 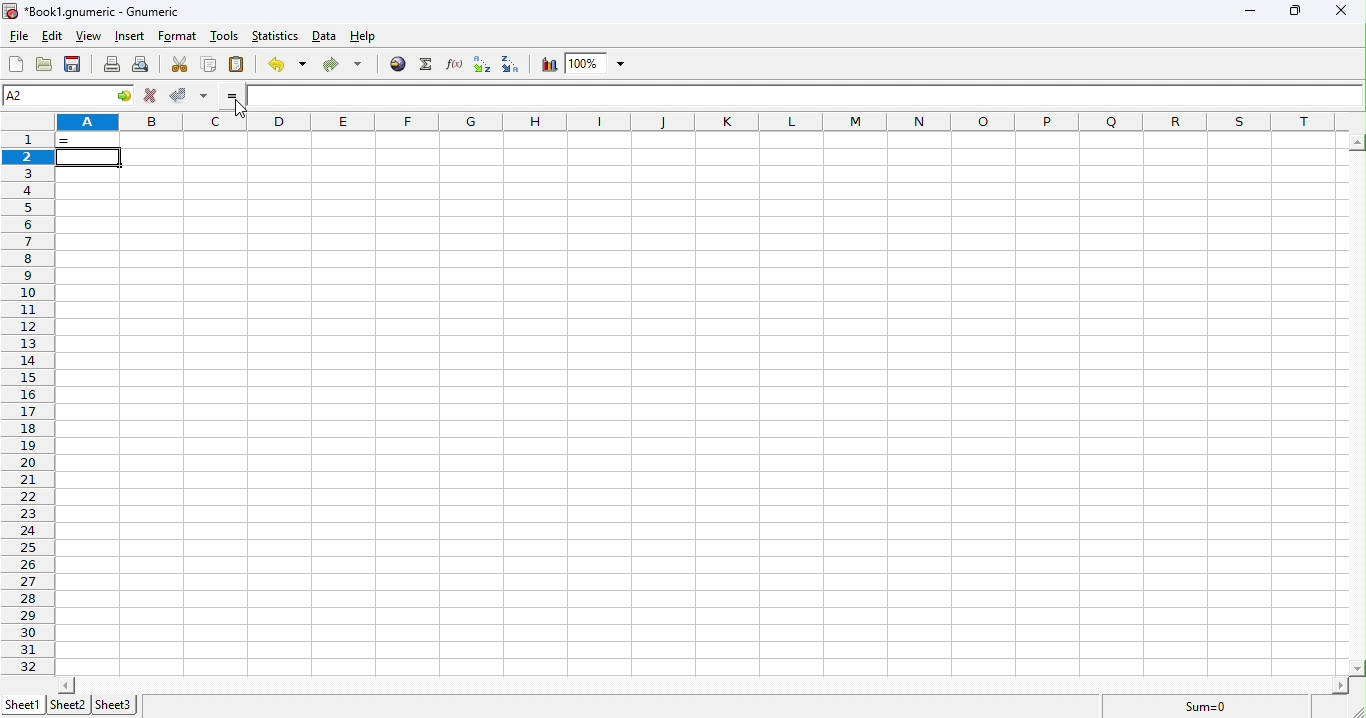 I want to click on edit, so click(x=52, y=34).